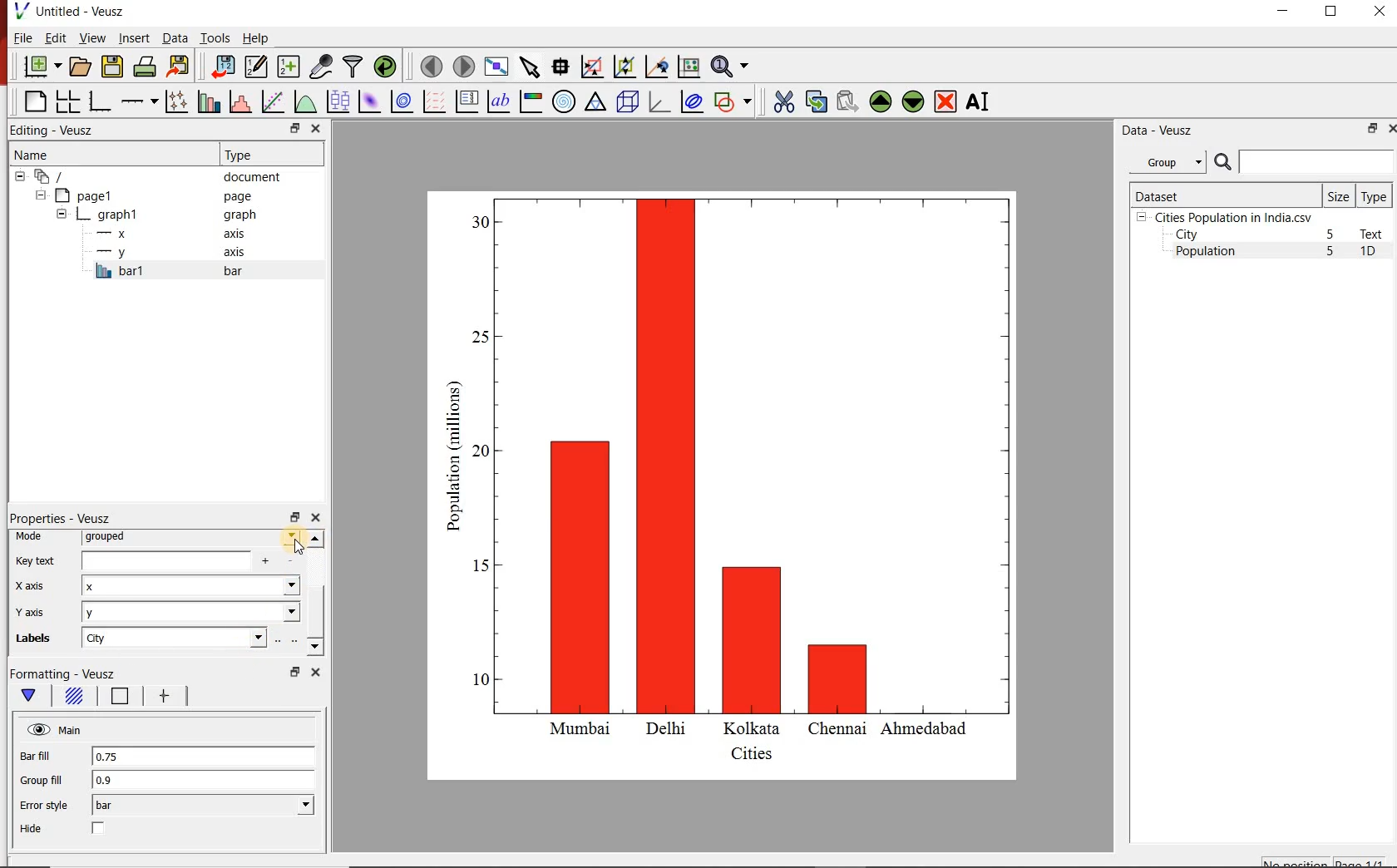 The height and width of the screenshot is (868, 1397). I want to click on Group datasets with property given, so click(1167, 161).